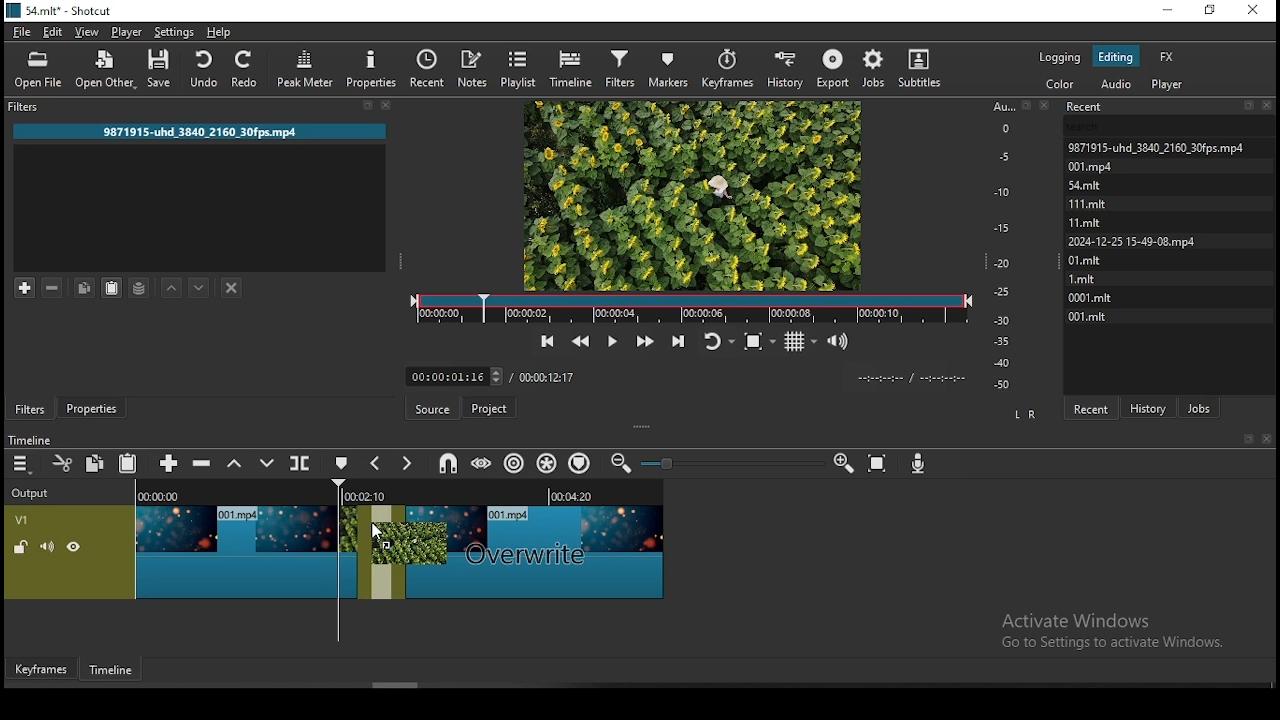 The image size is (1280, 720). I want to click on Recent, so click(1171, 107).